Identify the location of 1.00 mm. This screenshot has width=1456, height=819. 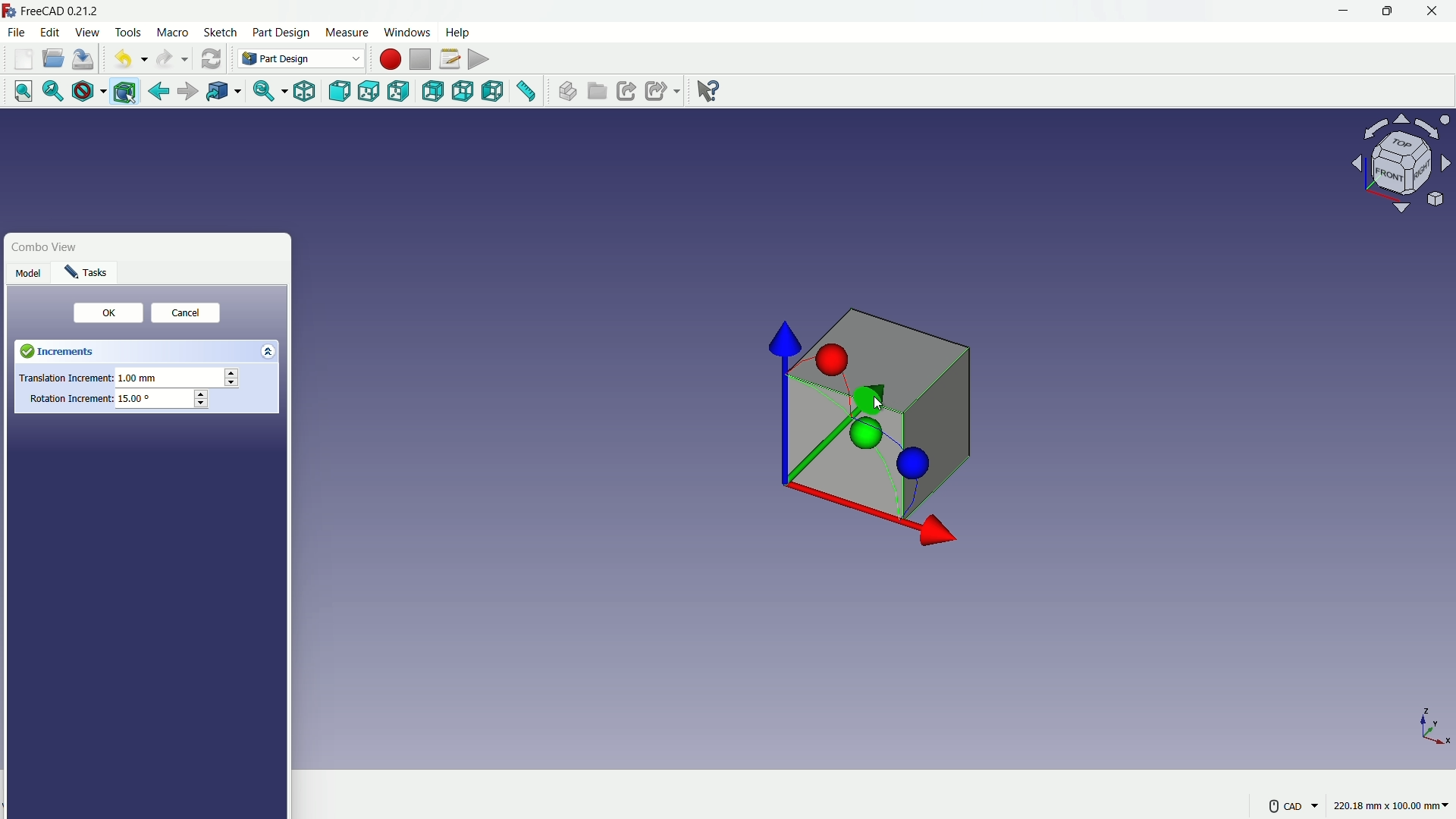
(142, 379).